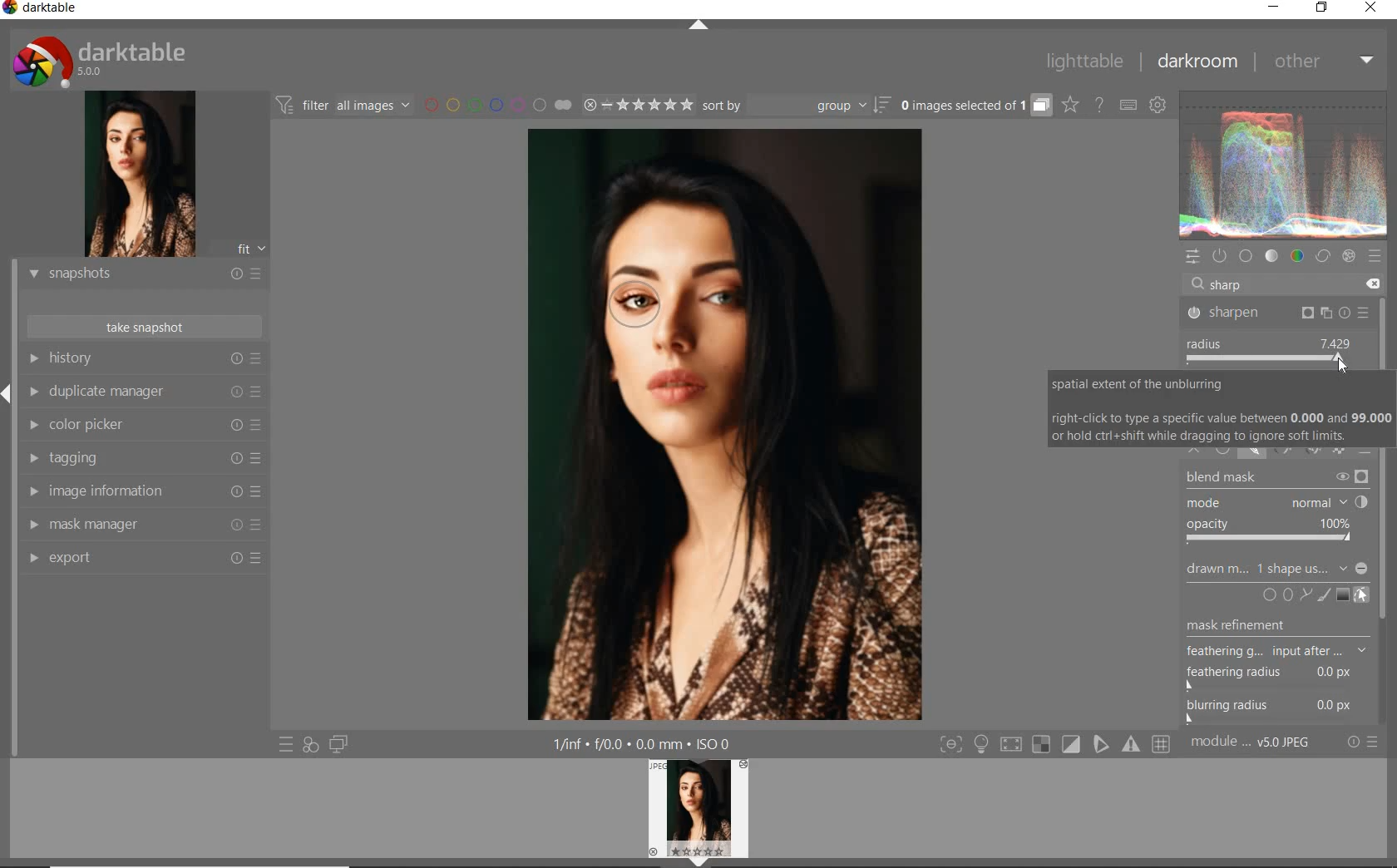 The height and width of the screenshot is (868, 1397). Describe the element at coordinates (1054, 744) in the screenshot. I see `Toggle modes` at that location.